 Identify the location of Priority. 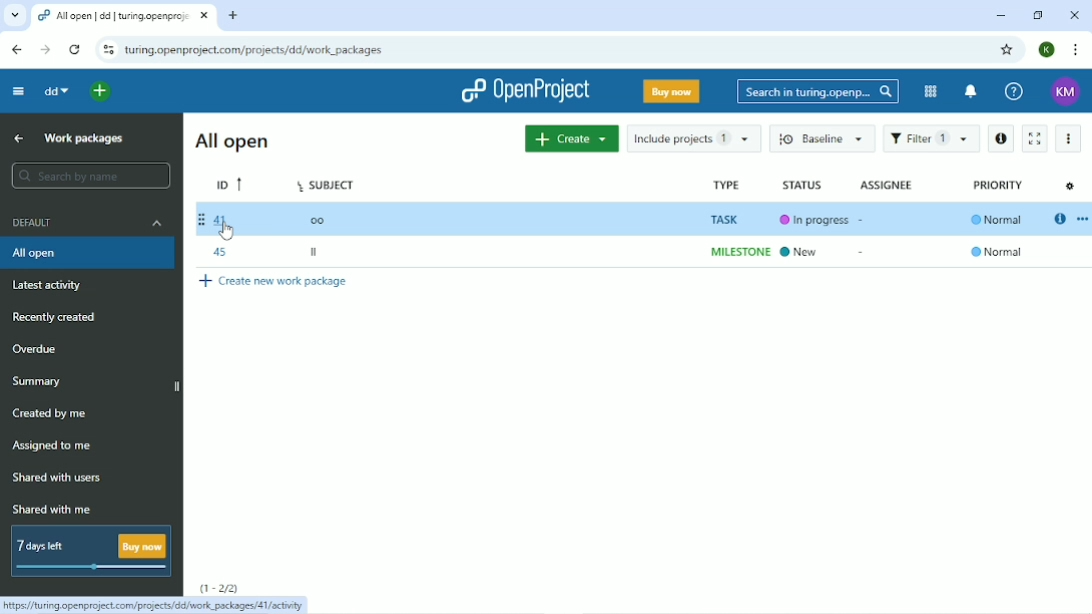
(997, 221).